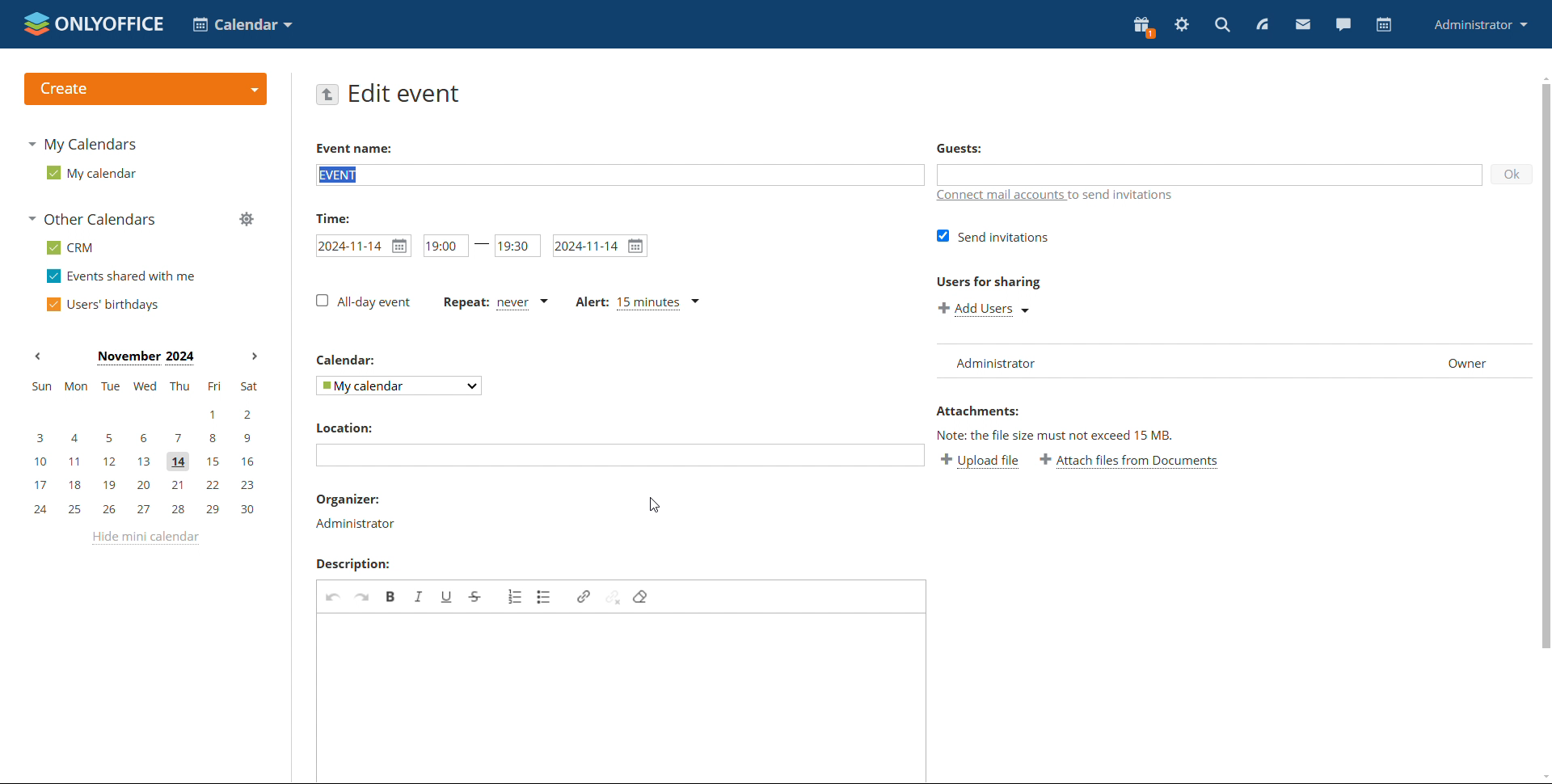 The image size is (1552, 784). I want to click on search, so click(1221, 25).